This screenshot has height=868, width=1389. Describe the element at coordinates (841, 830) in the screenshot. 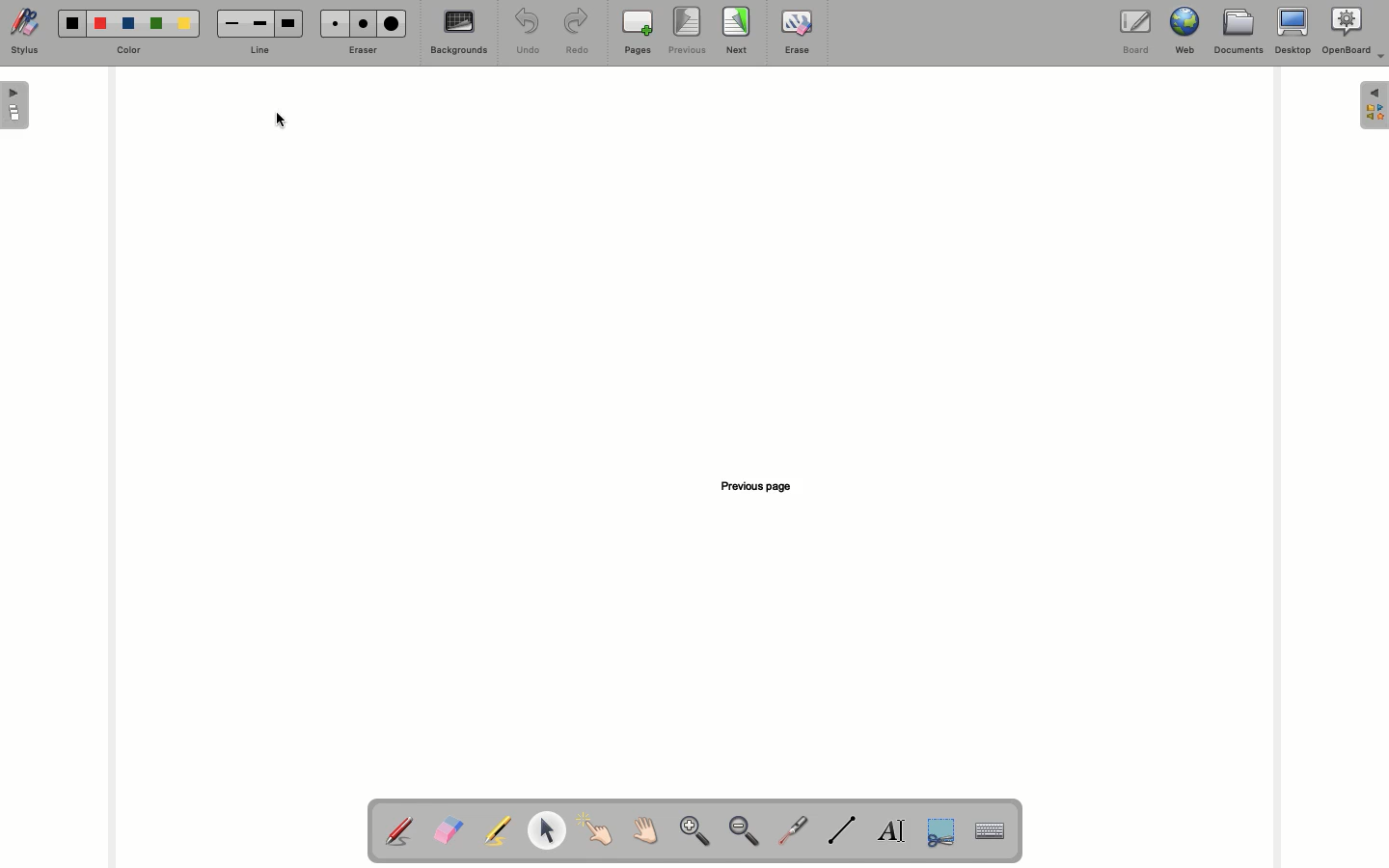

I see `Draw lines` at that location.